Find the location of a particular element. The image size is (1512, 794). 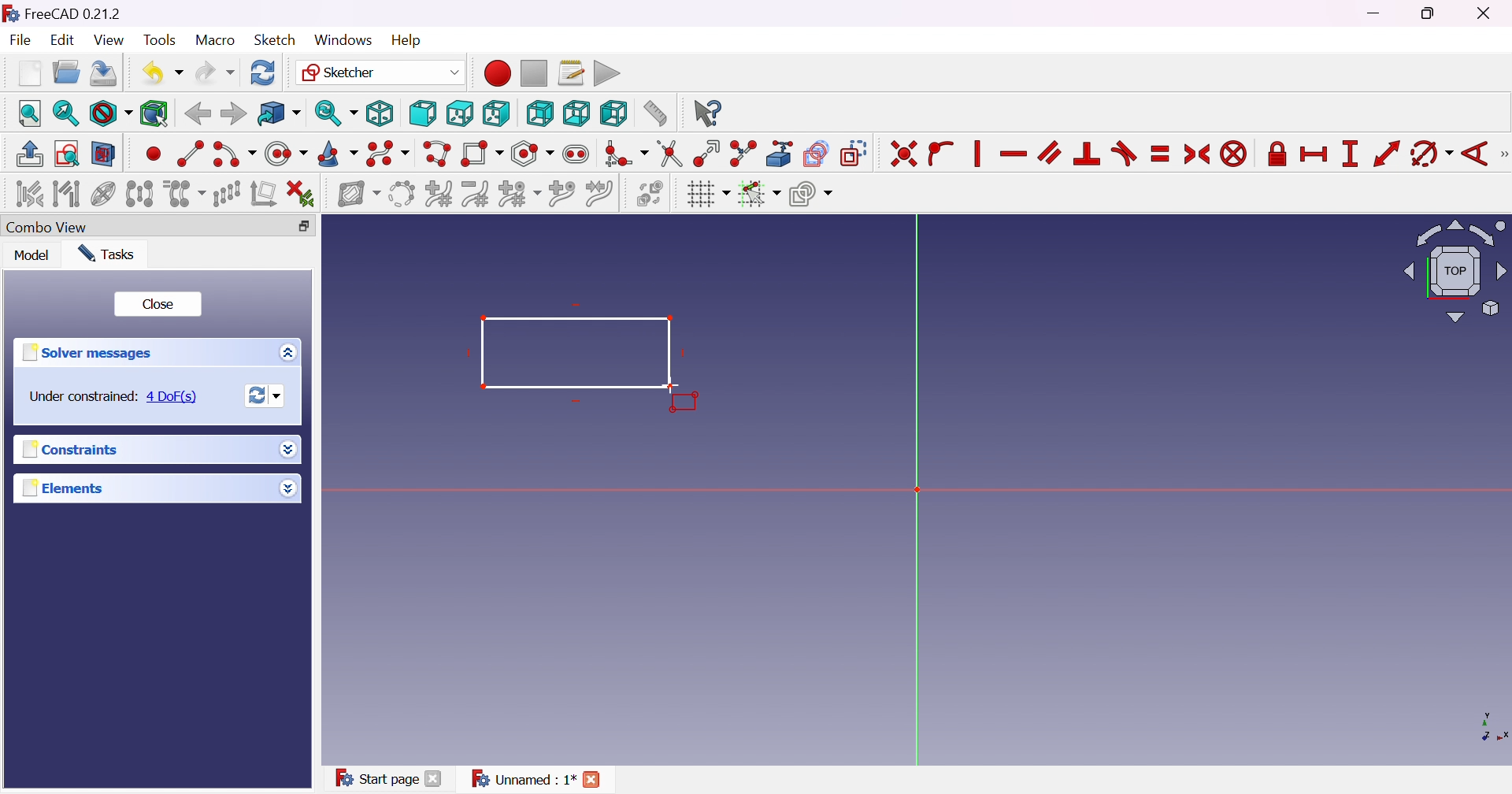

Macro recording... is located at coordinates (495, 72).